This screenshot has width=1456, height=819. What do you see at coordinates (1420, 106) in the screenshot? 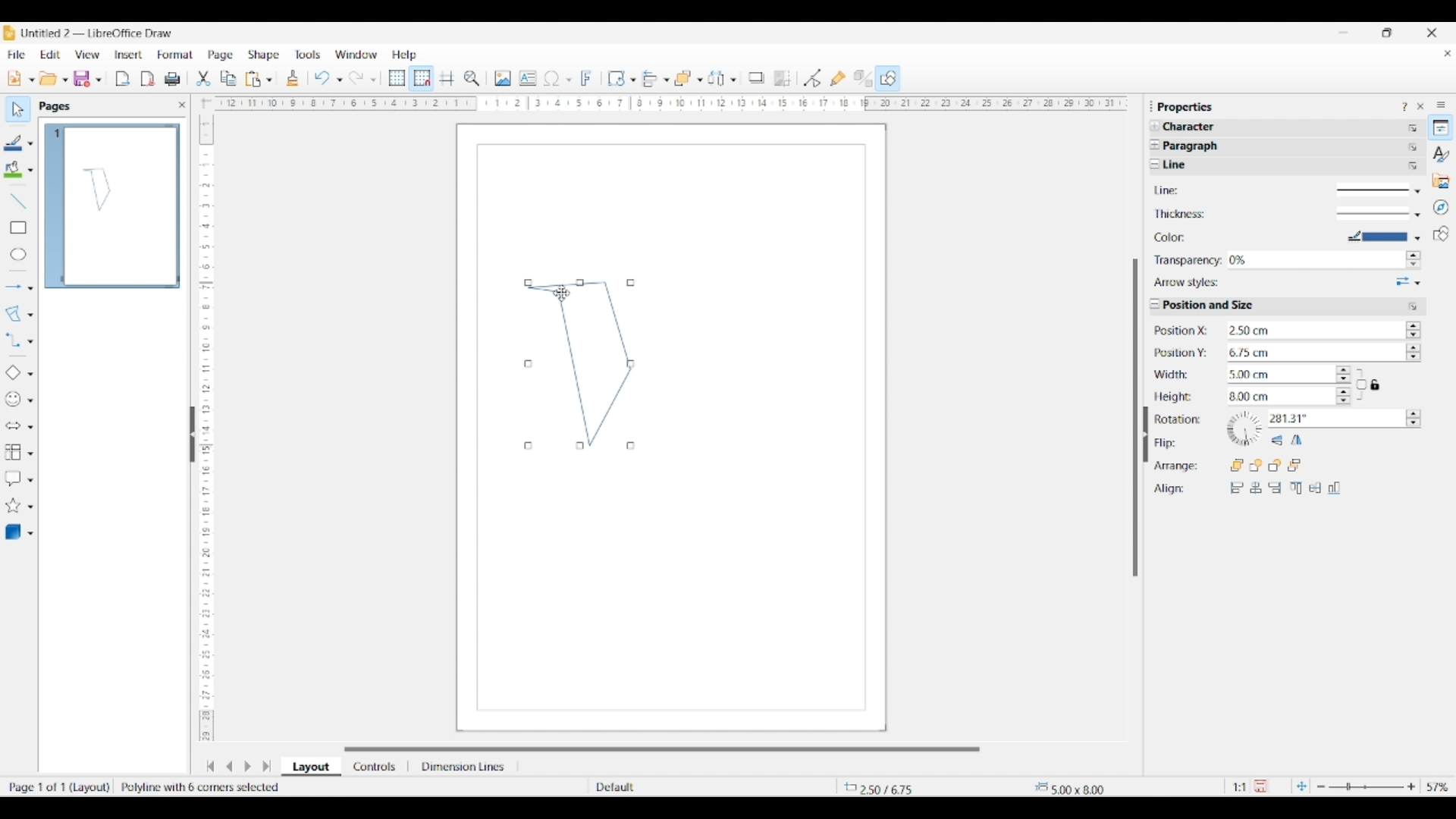
I see `Close sidebar deck` at bounding box center [1420, 106].